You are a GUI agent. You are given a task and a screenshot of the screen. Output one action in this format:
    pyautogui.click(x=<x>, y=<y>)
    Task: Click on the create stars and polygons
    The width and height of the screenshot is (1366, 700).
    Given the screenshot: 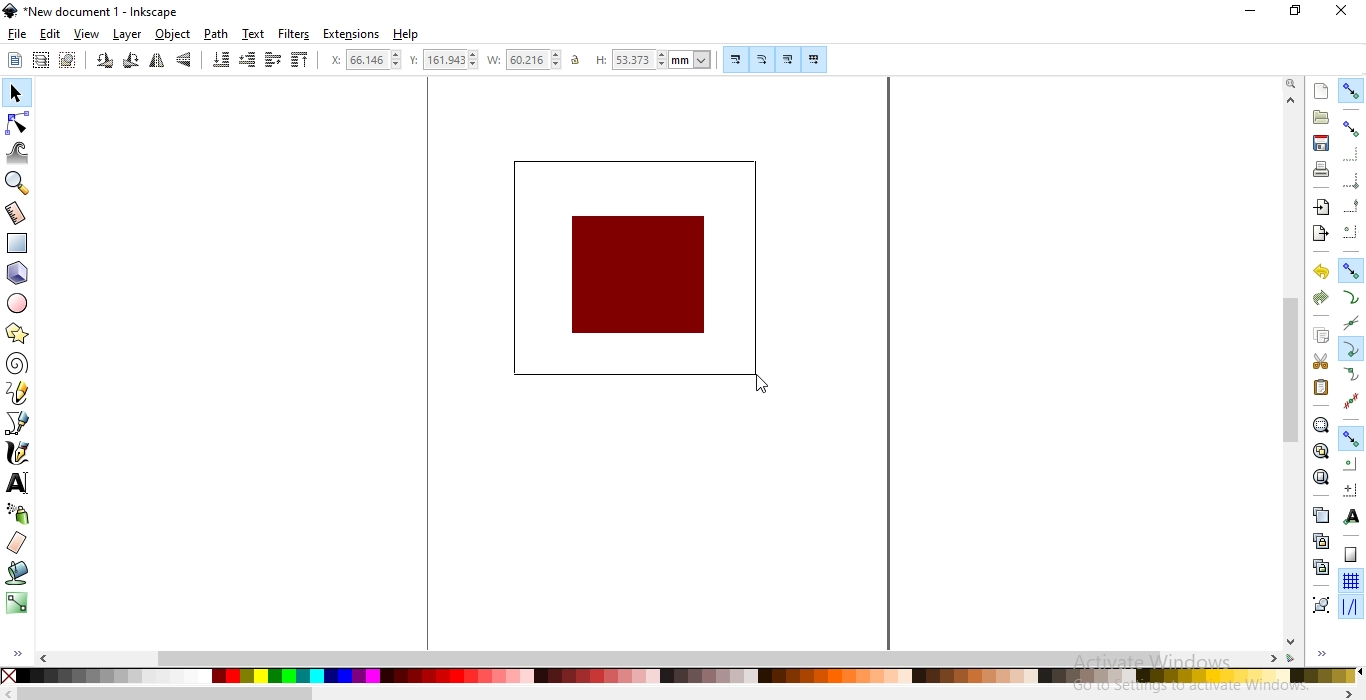 What is the action you would take?
    pyautogui.click(x=16, y=335)
    